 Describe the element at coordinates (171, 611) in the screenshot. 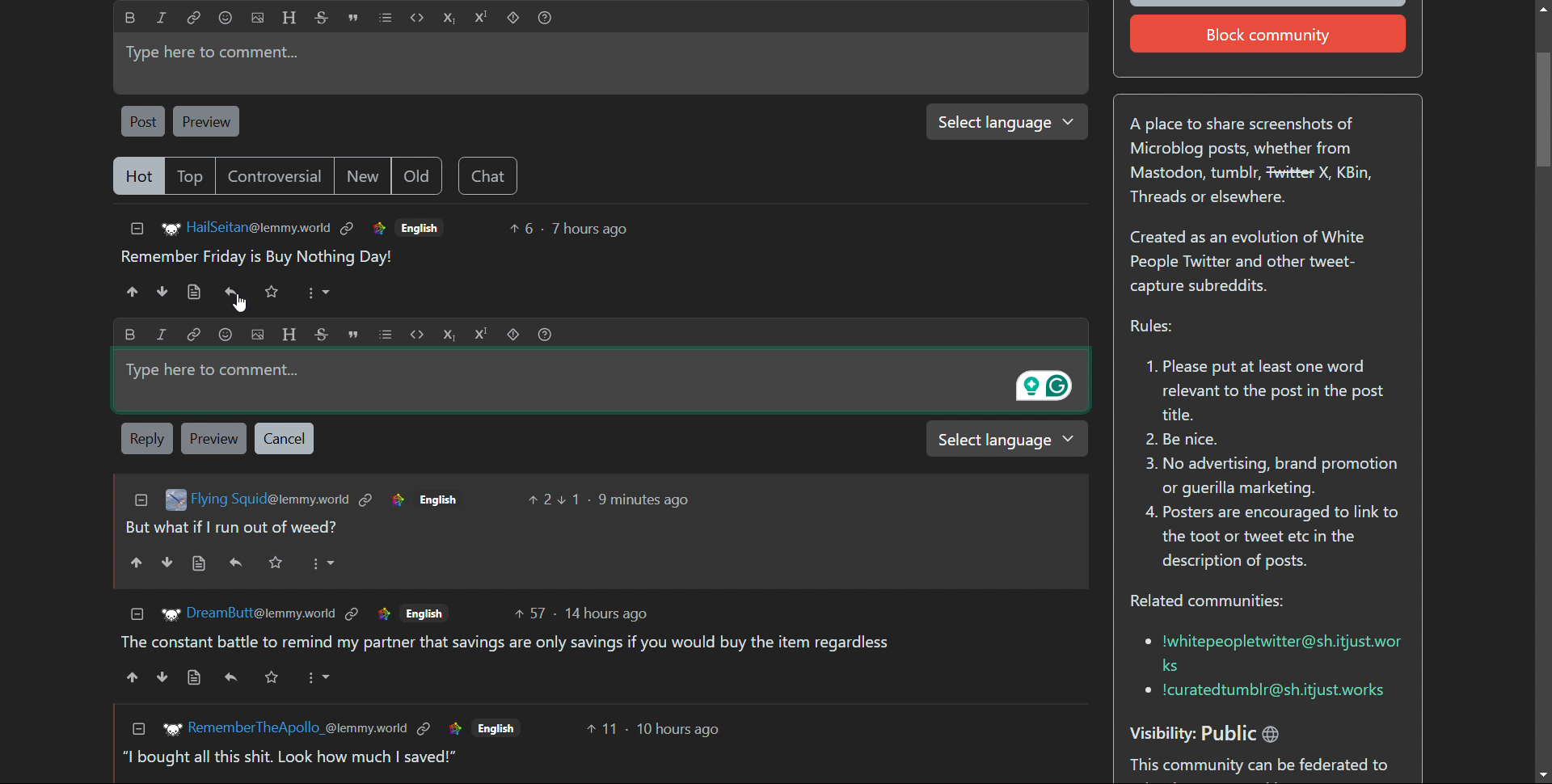

I see `image` at that location.